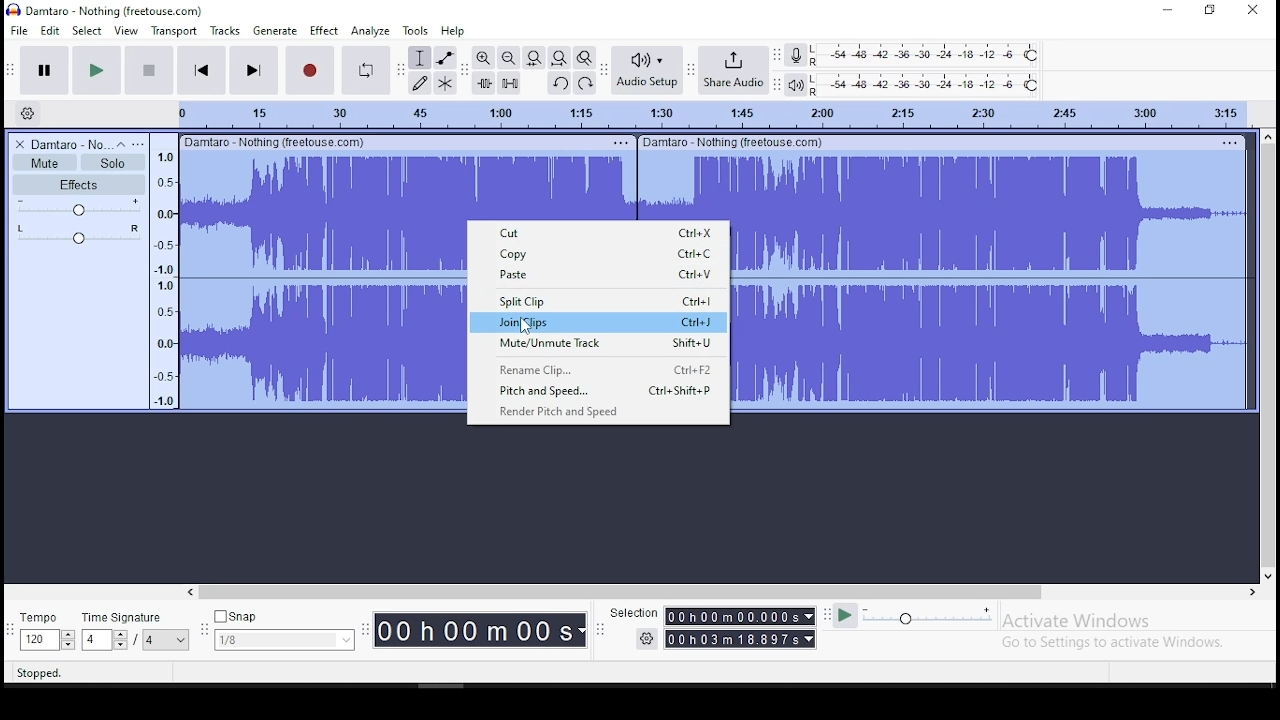 This screenshot has height=720, width=1280. Describe the element at coordinates (77, 236) in the screenshot. I see `pan` at that location.